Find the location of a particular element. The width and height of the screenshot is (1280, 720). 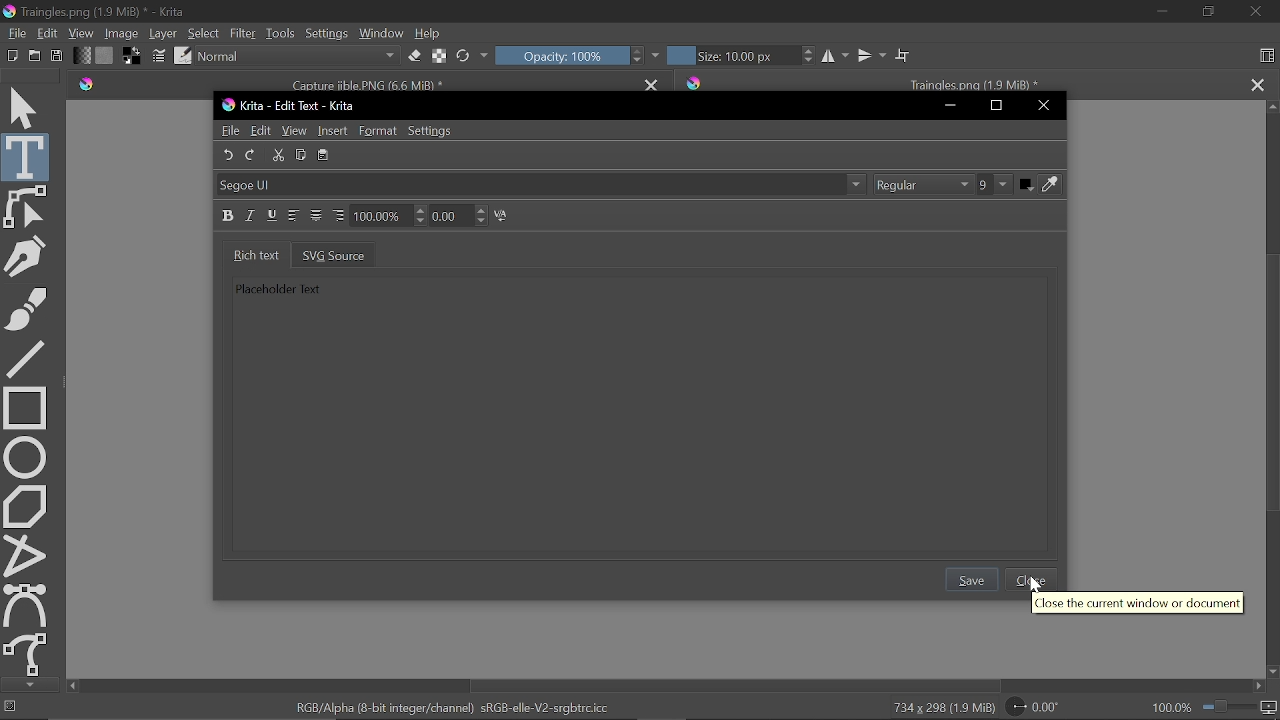

Restore down is located at coordinates (998, 107).